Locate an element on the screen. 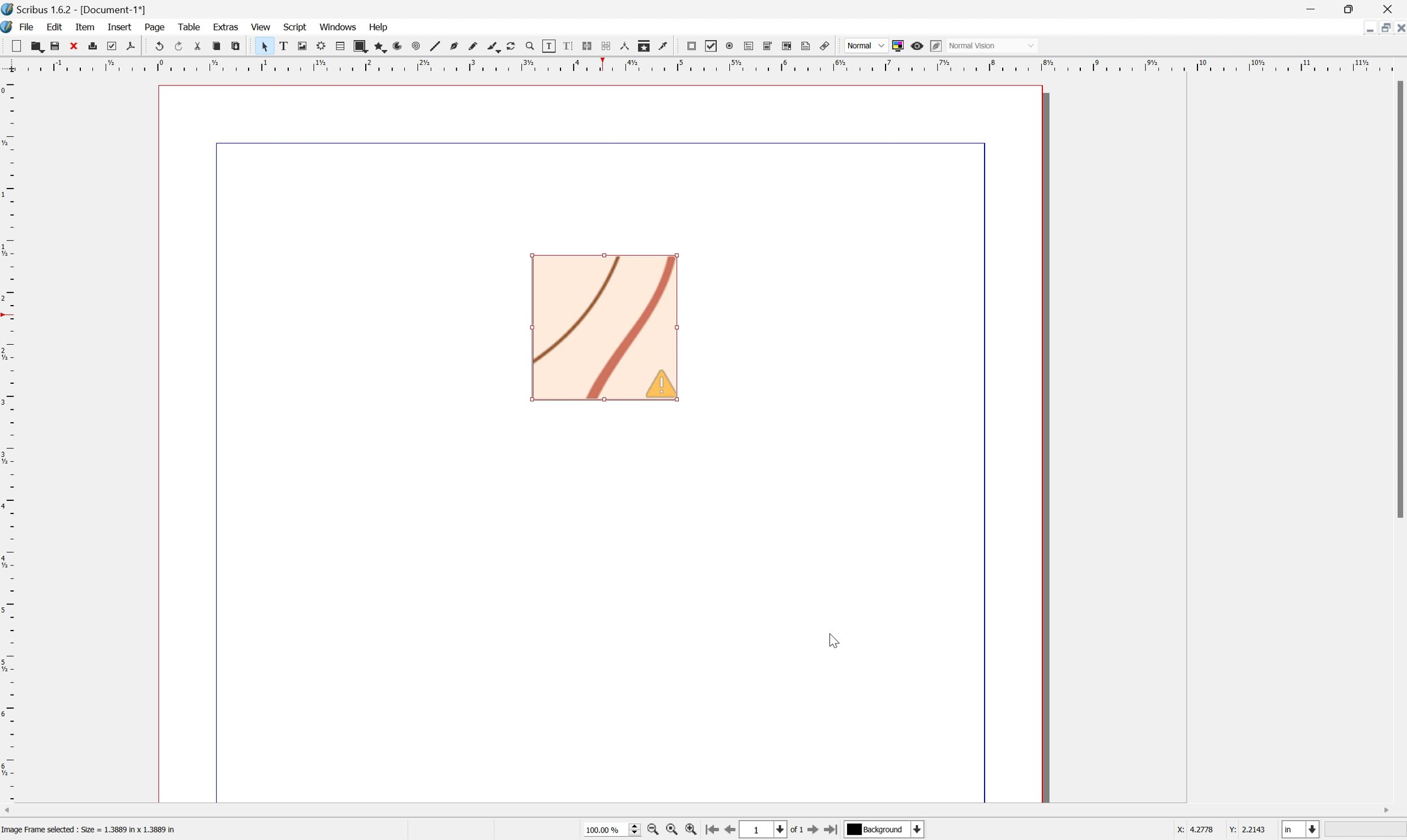 The width and height of the screenshot is (1407, 840). Next Page is located at coordinates (816, 830).